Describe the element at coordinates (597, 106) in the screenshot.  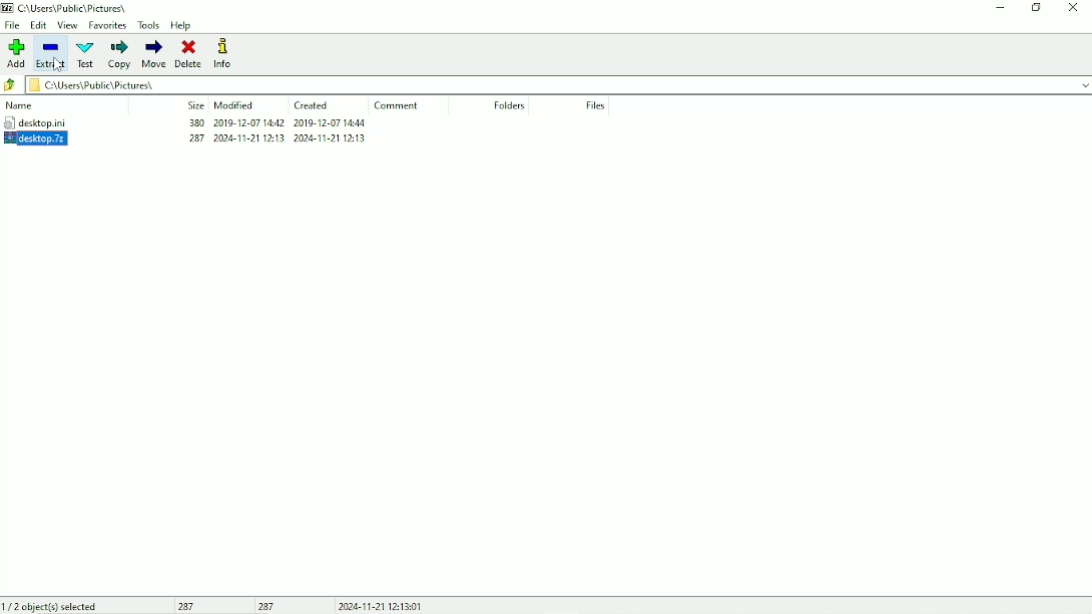
I see `Files` at that location.